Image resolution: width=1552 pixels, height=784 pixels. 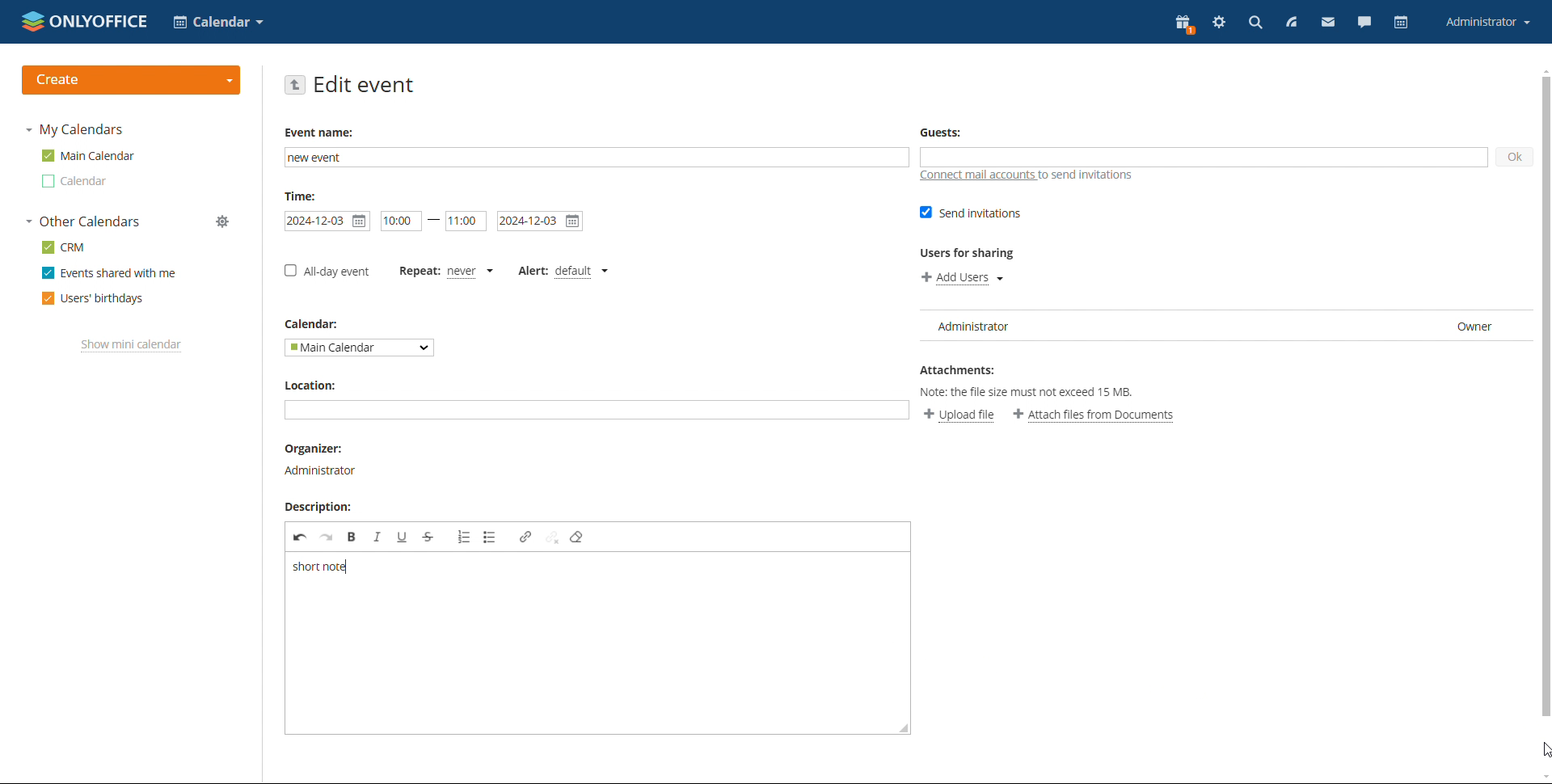 I want to click on settings, so click(x=1220, y=22).